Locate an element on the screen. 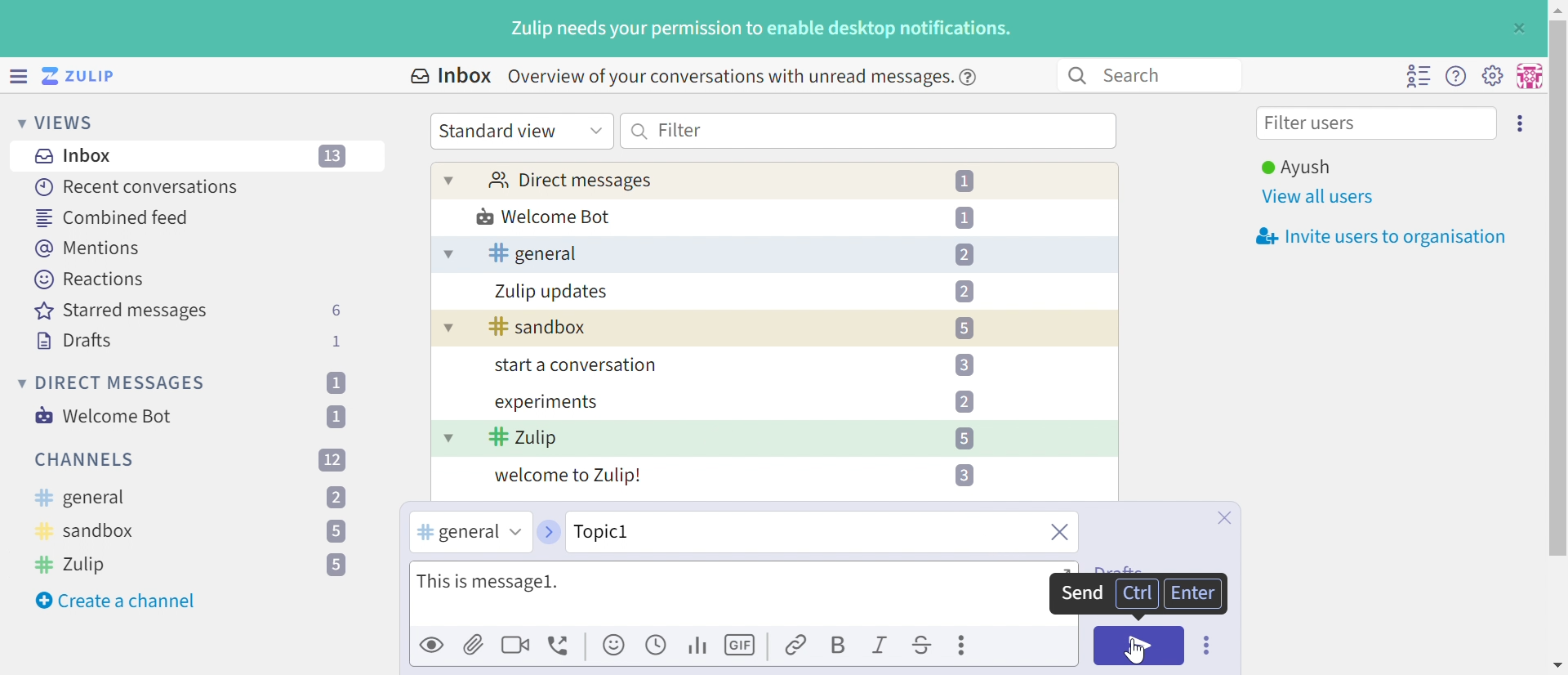 This screenshot has width=1568, height=675. DIRECT MESSAGES is located at coordinates (122, 383).